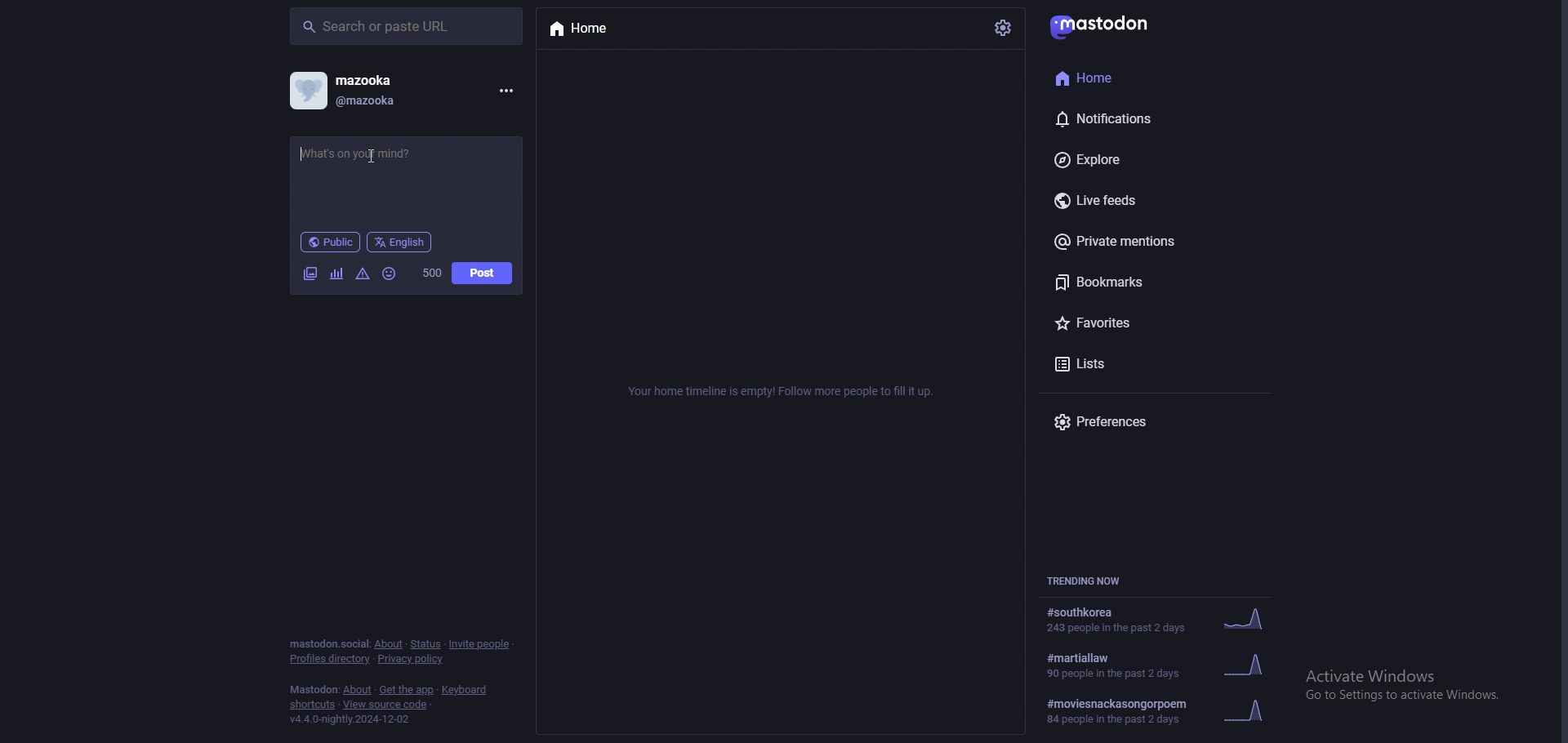 The width and height of the screenshot is (1568, 743). Describe the element at coordinates (311, 705) in the screenshot. I see `shortcuts` at that location.